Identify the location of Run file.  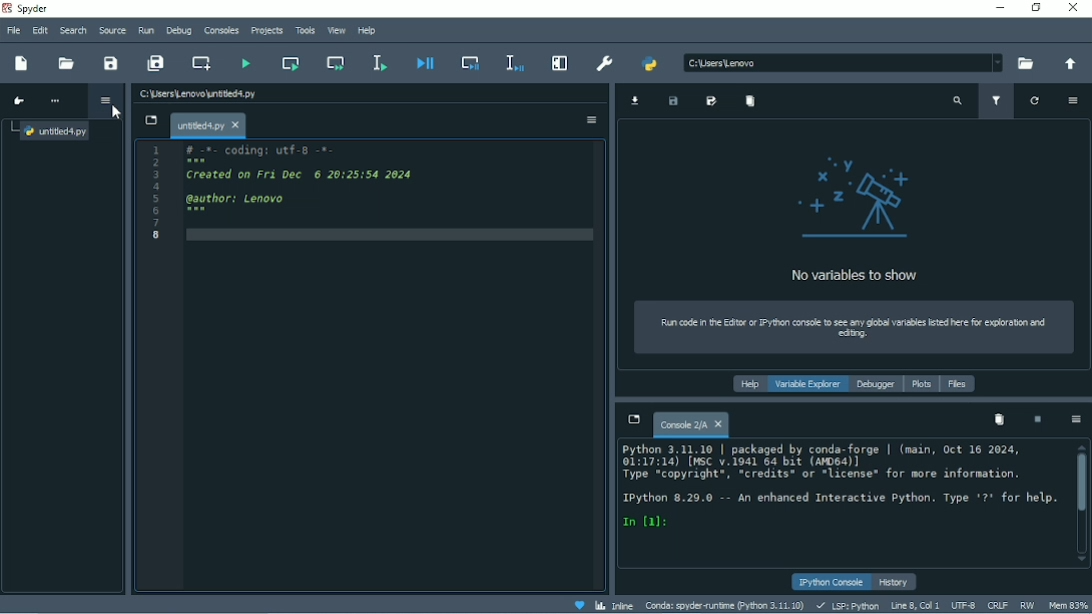
(243, 62).